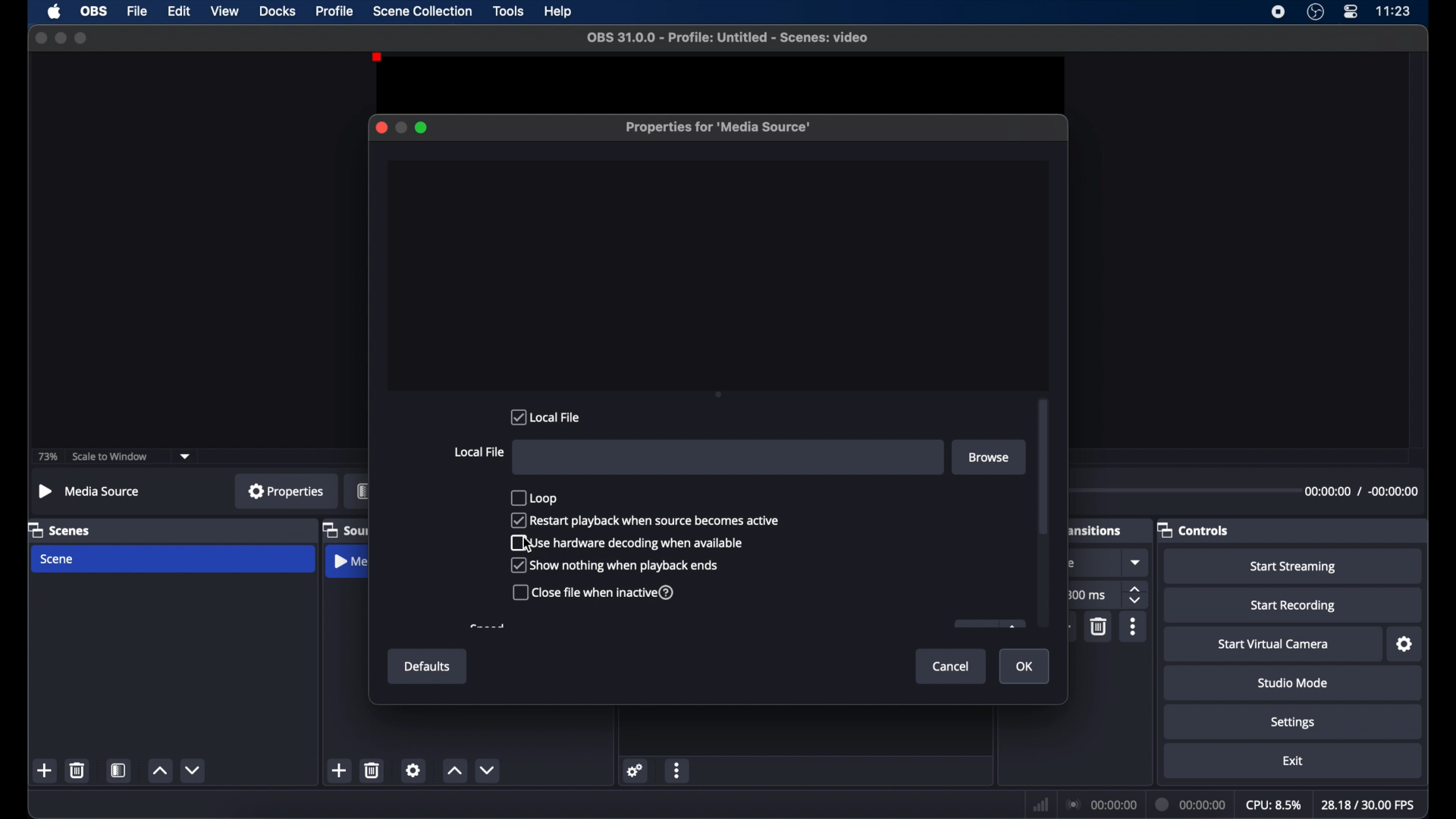  Describe the element at coordinates (60, 38) in the screenshot. I see `minimize` at that location.